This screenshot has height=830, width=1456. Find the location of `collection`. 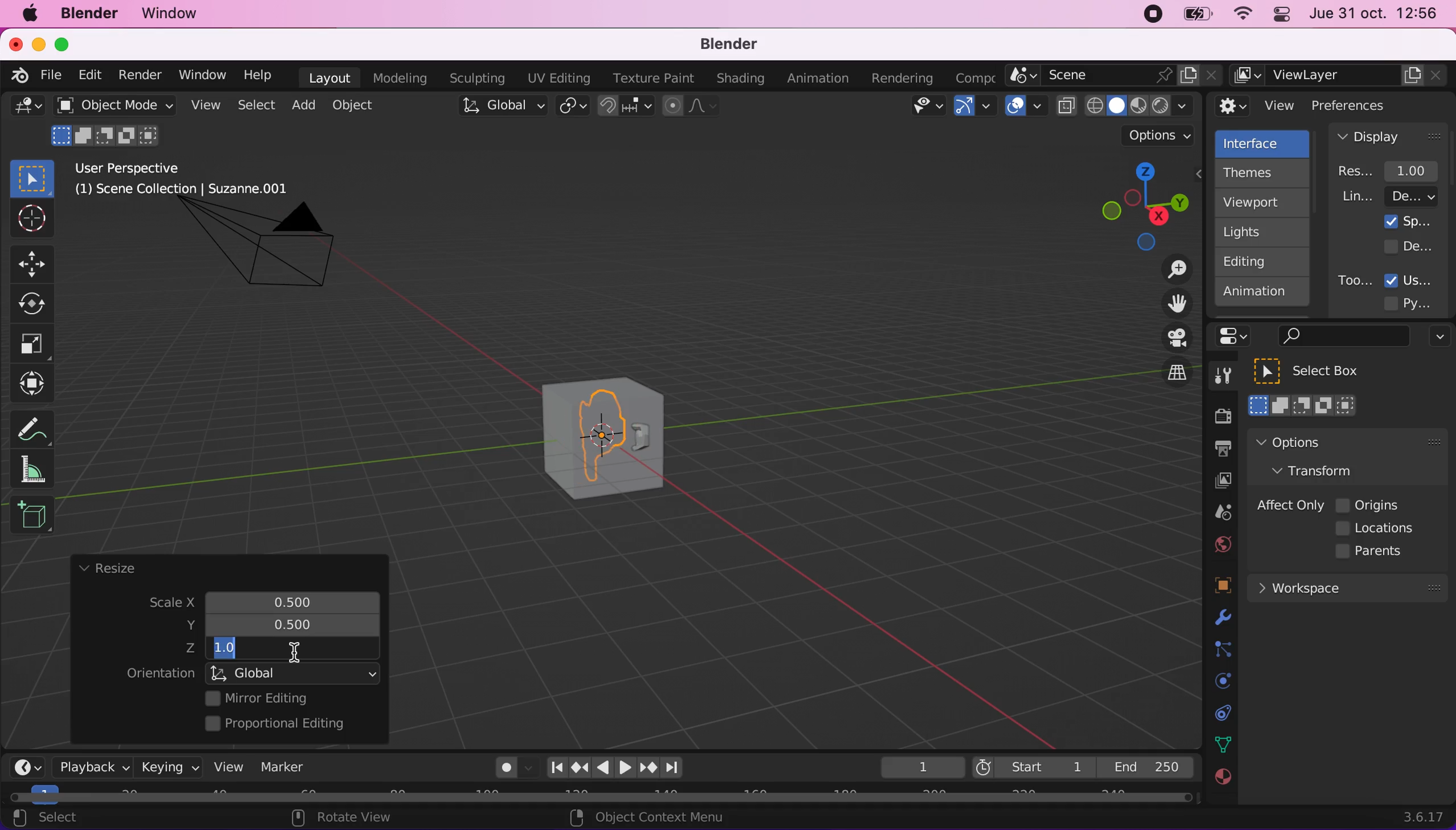

collection is located at coordinates (1220, 713).